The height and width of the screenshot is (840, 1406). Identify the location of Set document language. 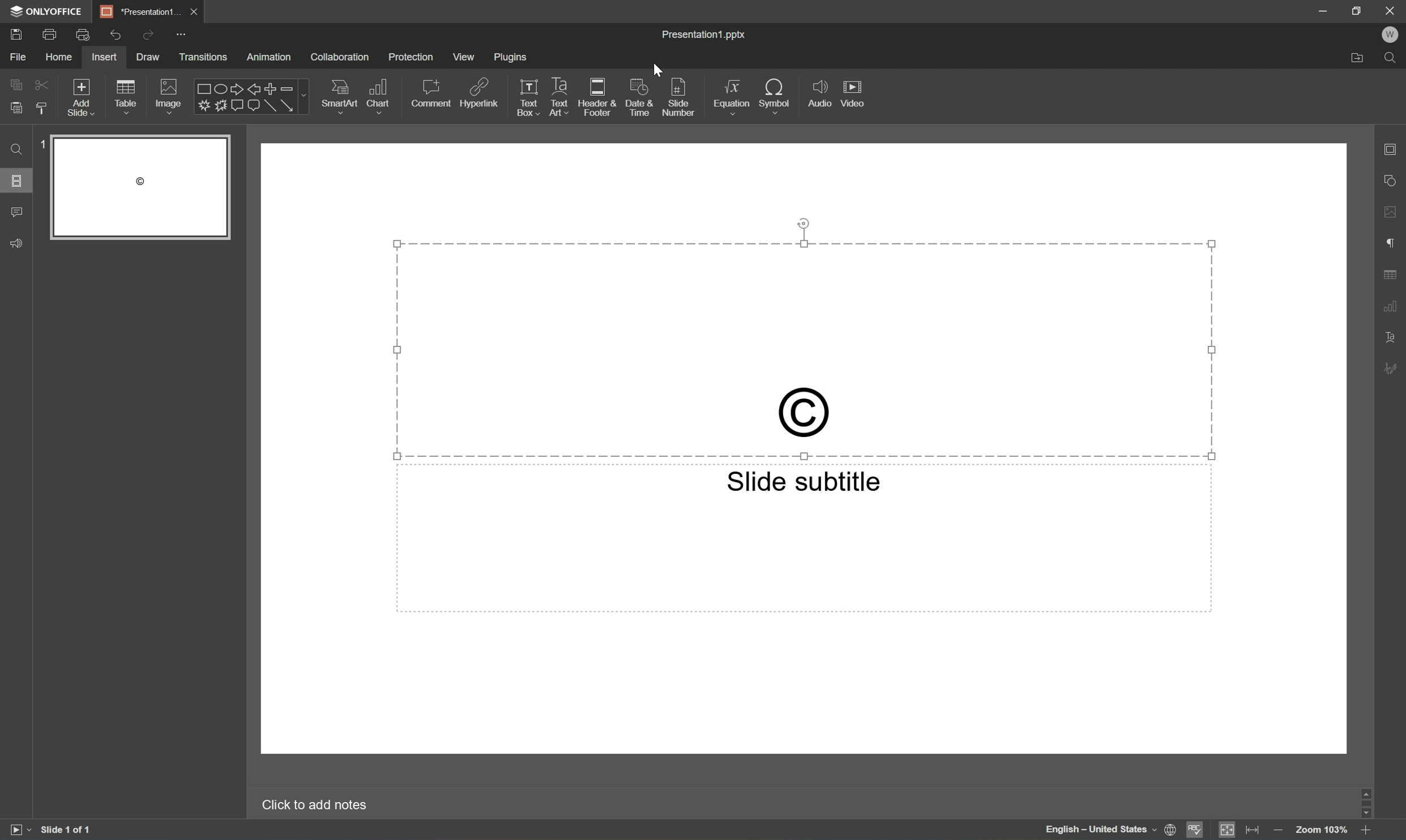
(1170, 830).